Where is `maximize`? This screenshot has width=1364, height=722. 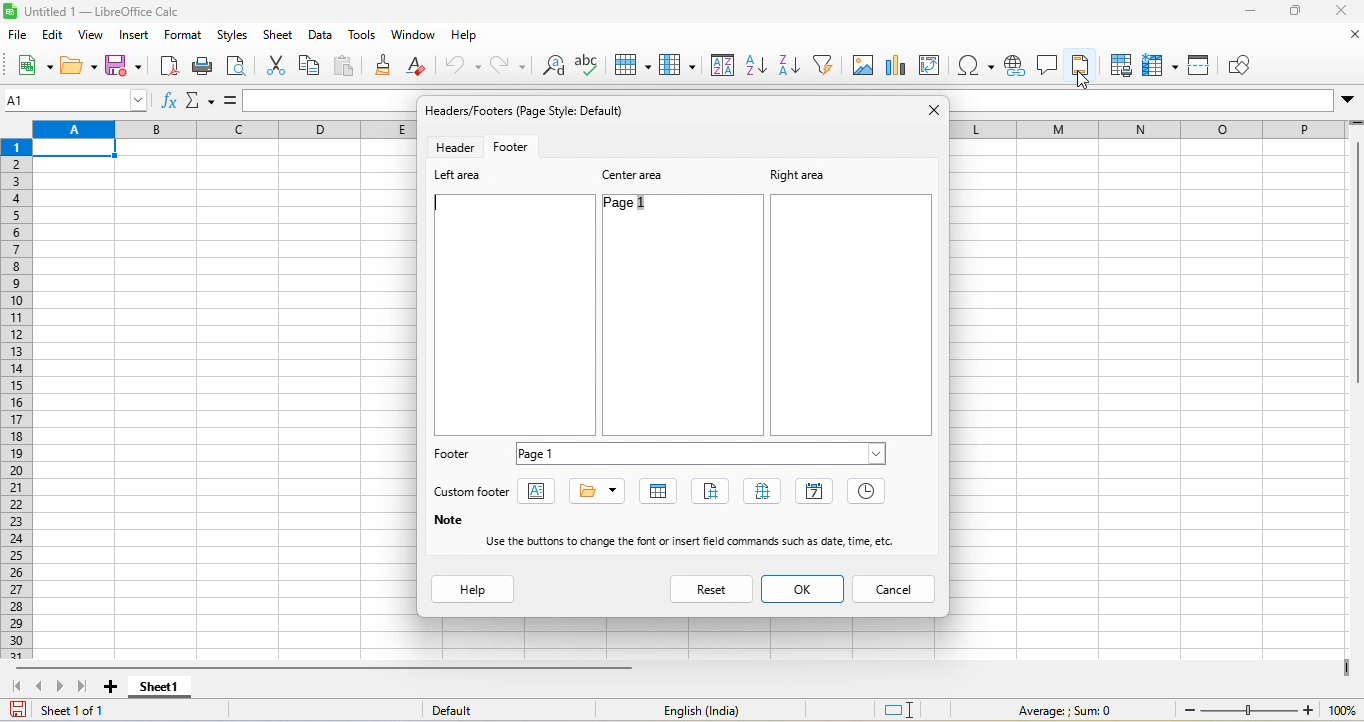 maximize is located at coordinates (1296, 13).